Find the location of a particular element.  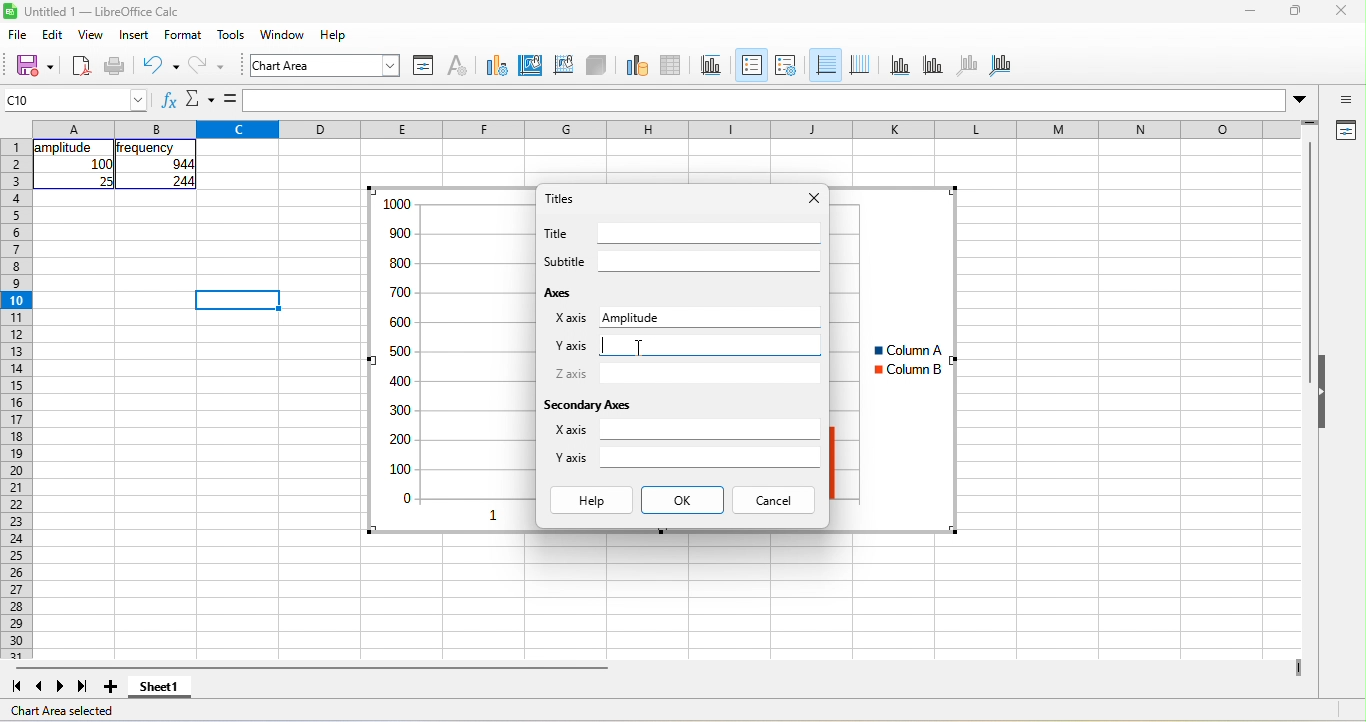

legend on\off is located at coordinates (752, 65).